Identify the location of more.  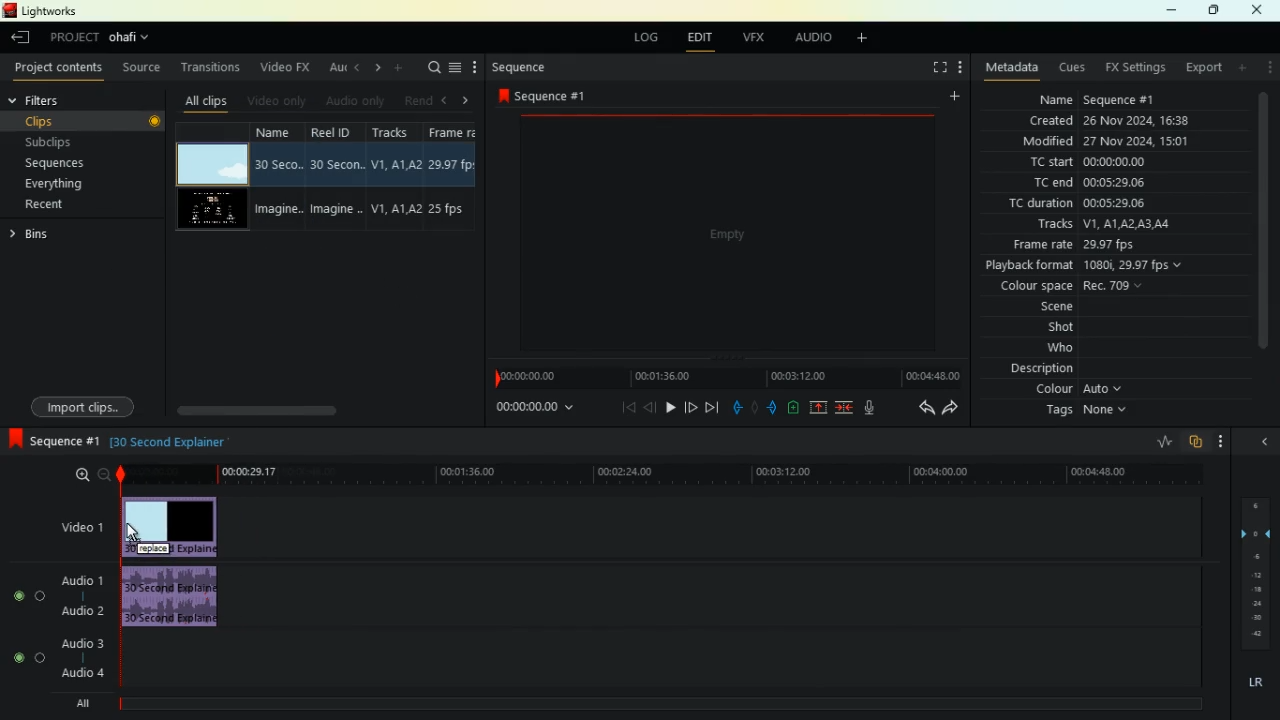
(1222, 440).